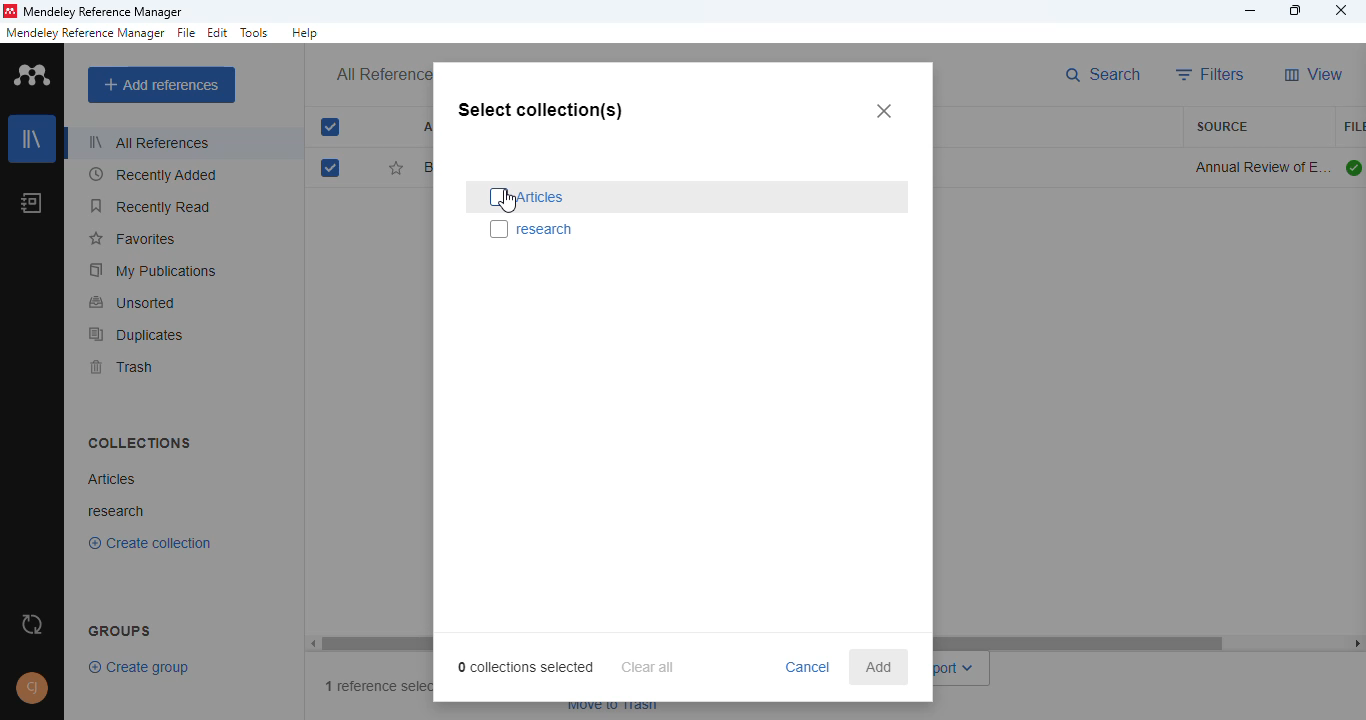  What do you see at coordinates (149, 546) in the screenshot?
I see `Create collection` at bounding box center [149, 546].